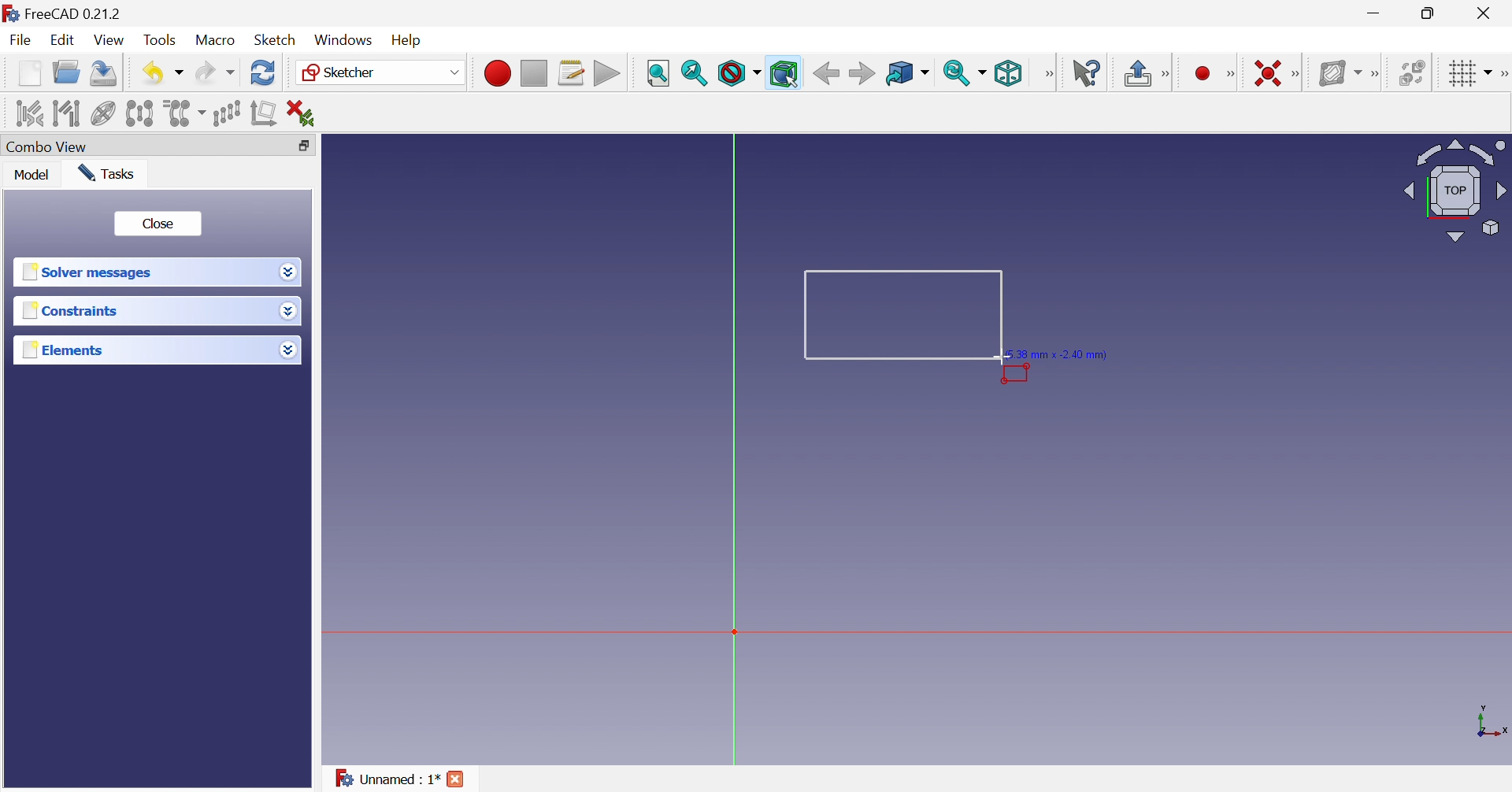  Describe the element at coordinates (380, 72) in the screenshot. I see `Sketcher` at that location.